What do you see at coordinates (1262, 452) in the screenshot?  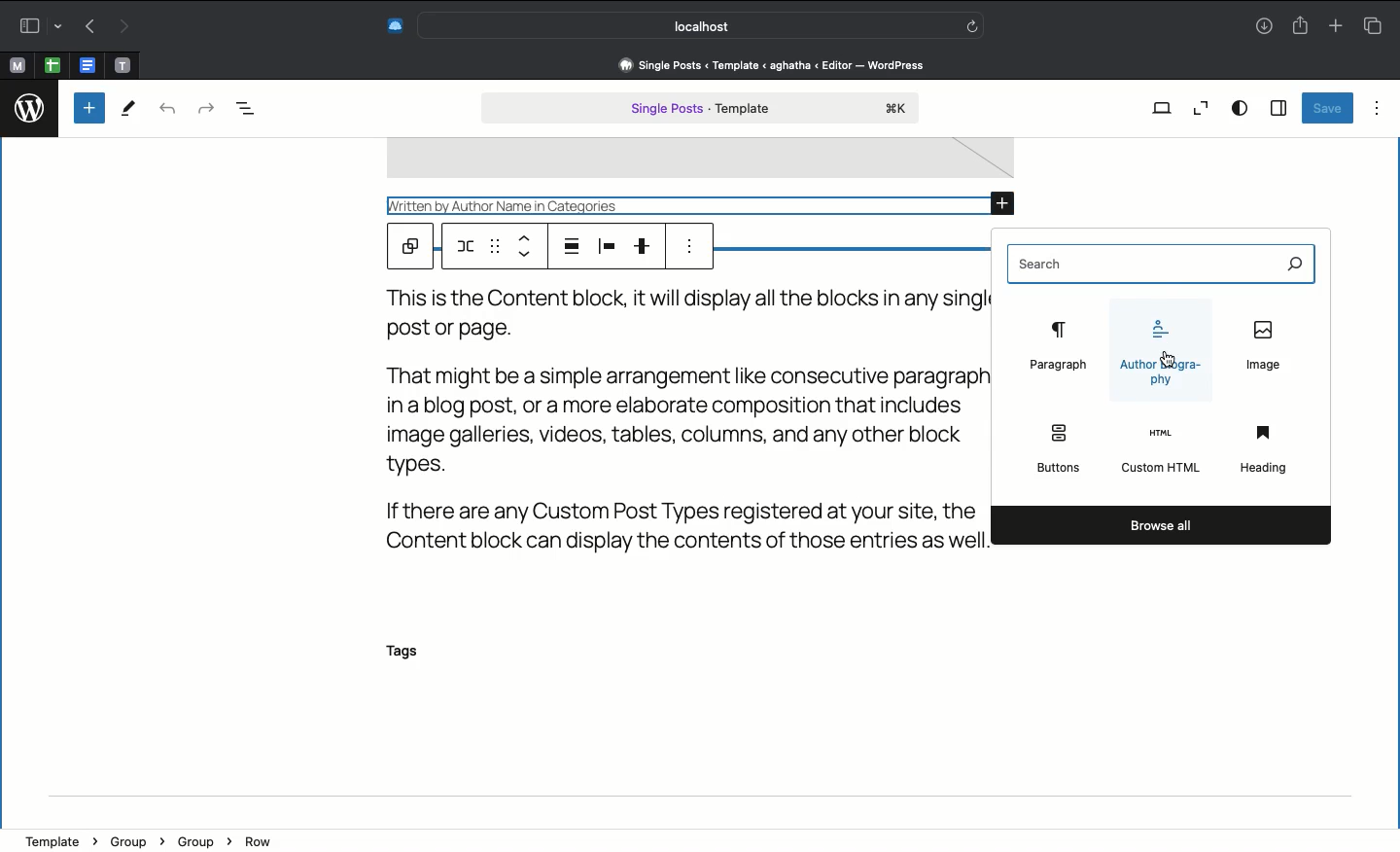 I see `Heading` at bounding box center [1262, 452].